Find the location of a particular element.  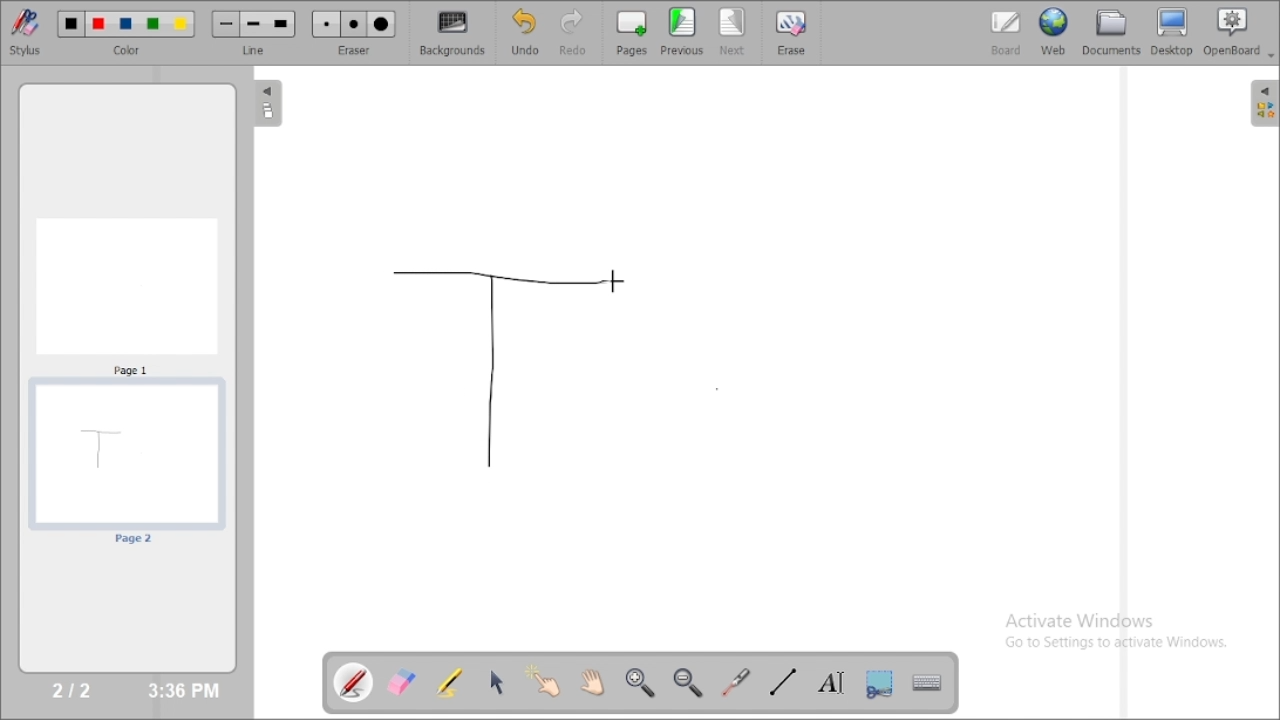

3:36 PM is located at coordinates (182, 691).